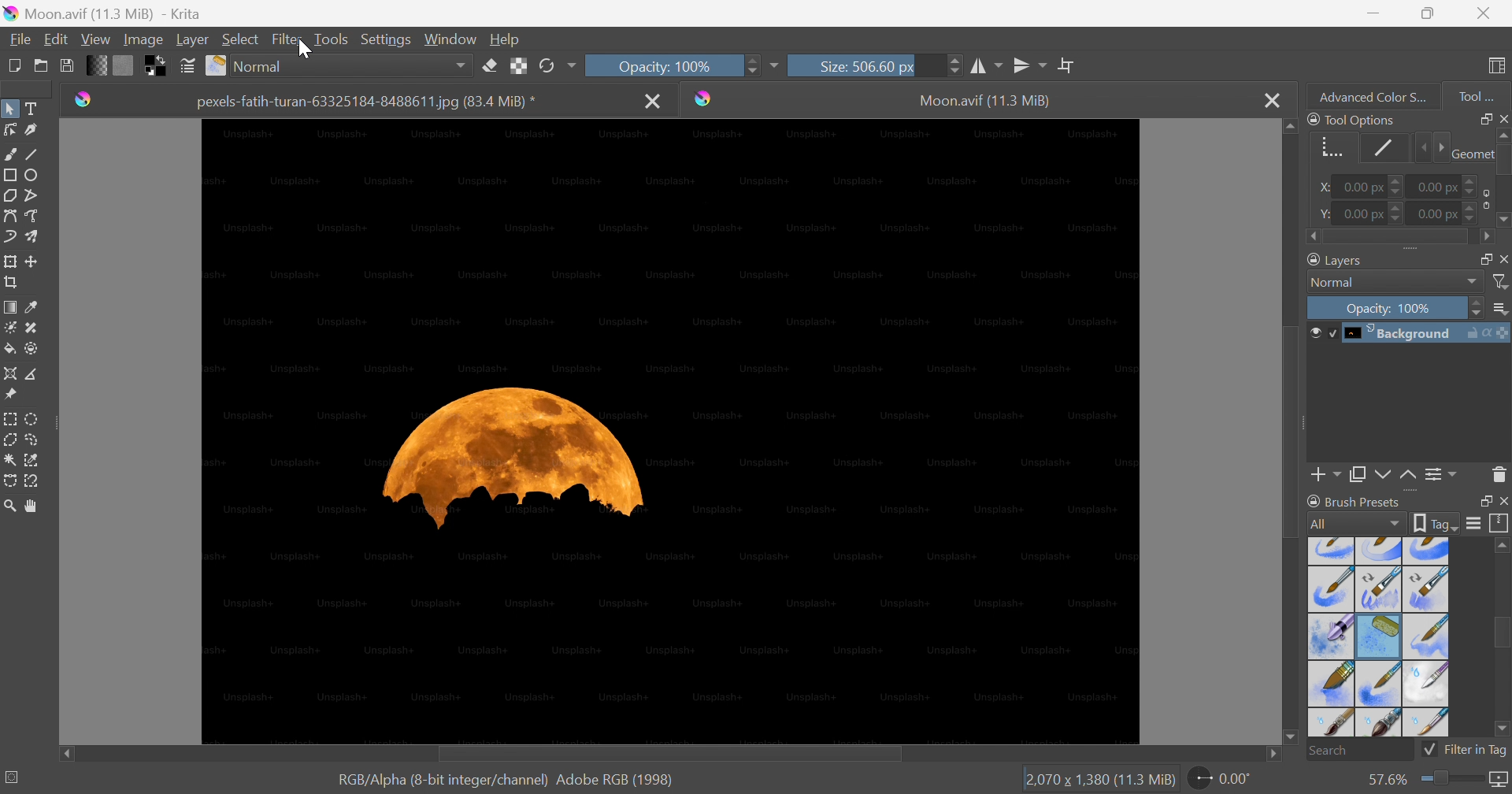  I want to click on Scroll up, so click(1289, 126).